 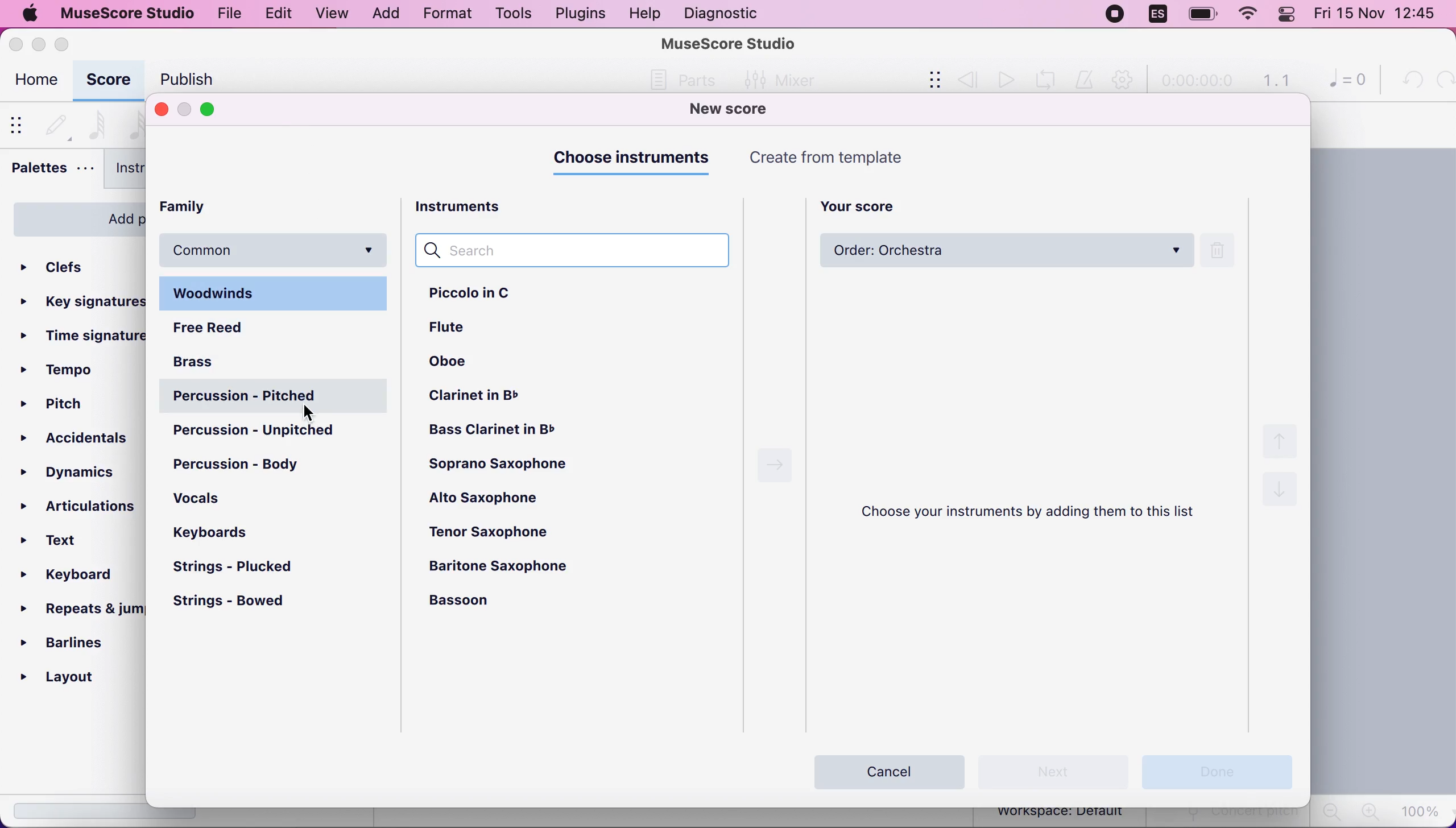 What do you see at coordinates (508, 14) in the screenshot?
I see `tools` at bounding box center [508, 14].